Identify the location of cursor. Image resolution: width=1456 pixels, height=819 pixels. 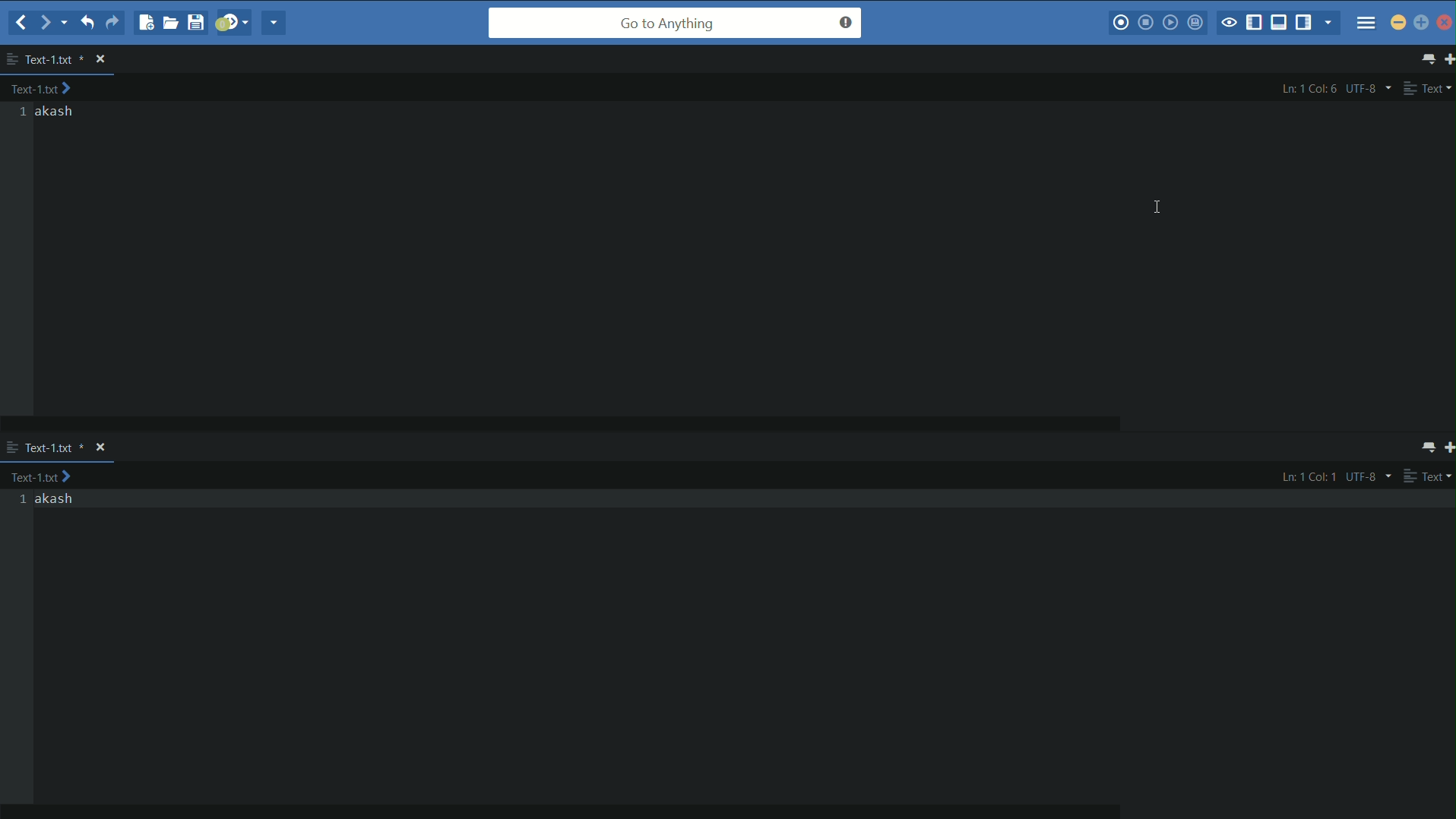
(1157, 207).